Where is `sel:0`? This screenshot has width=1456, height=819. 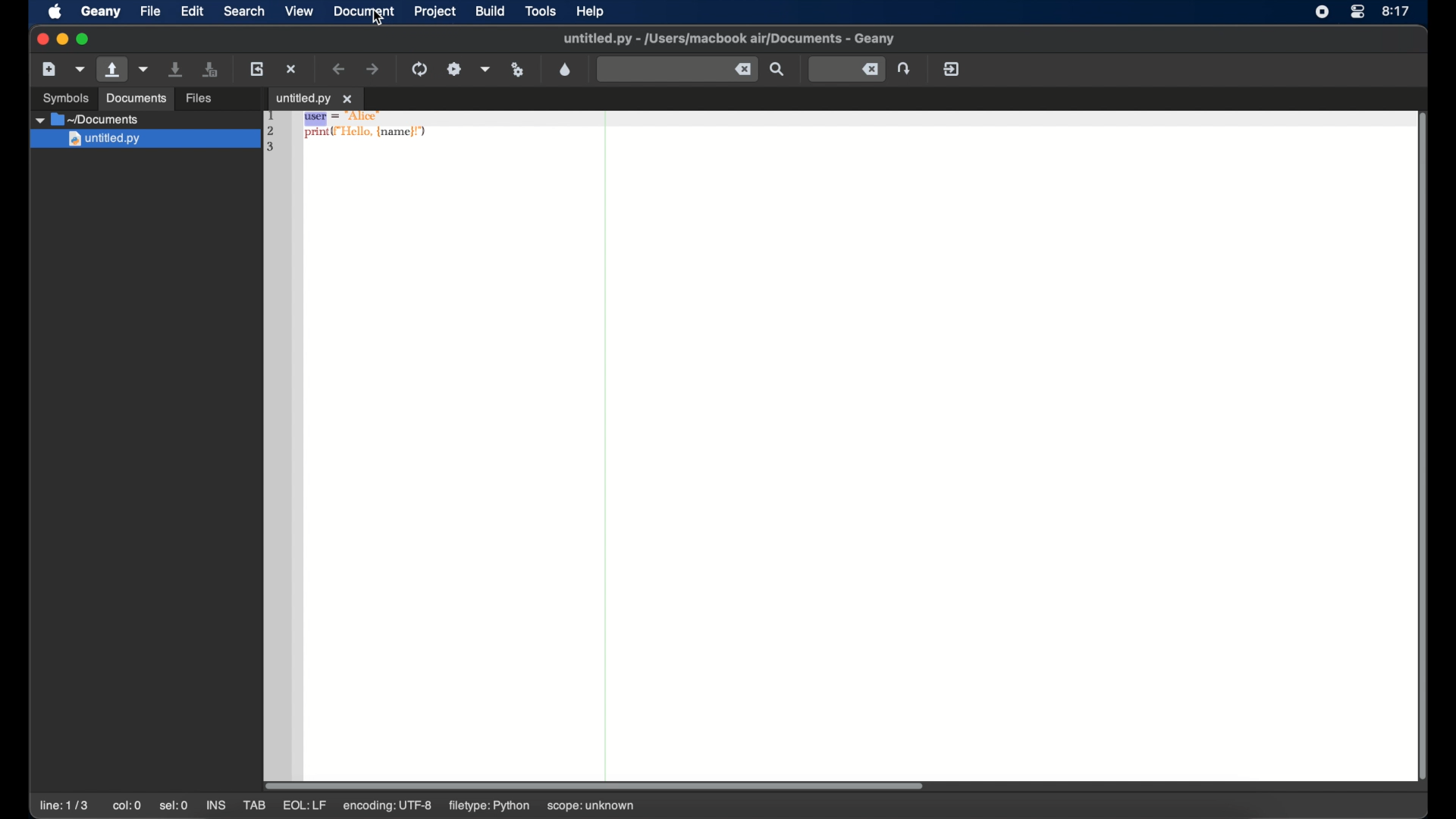
sel:0 is located at coordinates (174, 807).